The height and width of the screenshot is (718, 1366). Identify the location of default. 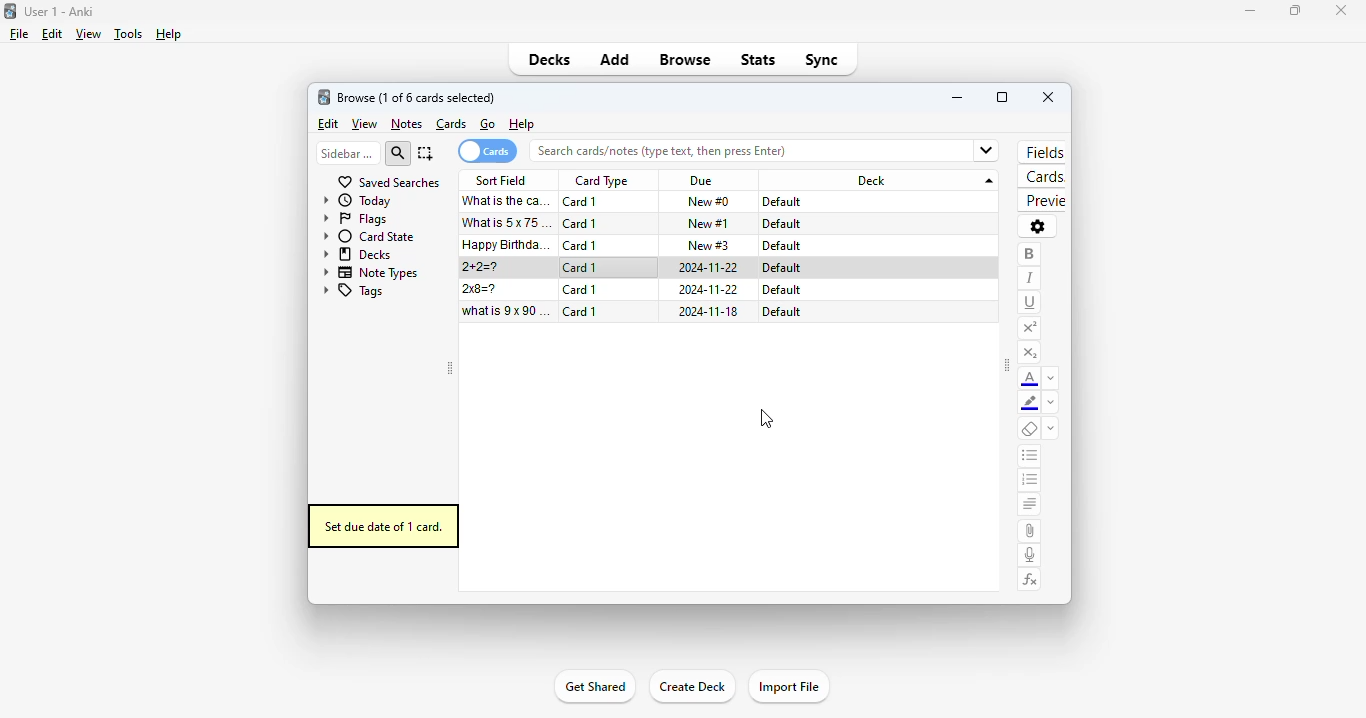
(781, 224).